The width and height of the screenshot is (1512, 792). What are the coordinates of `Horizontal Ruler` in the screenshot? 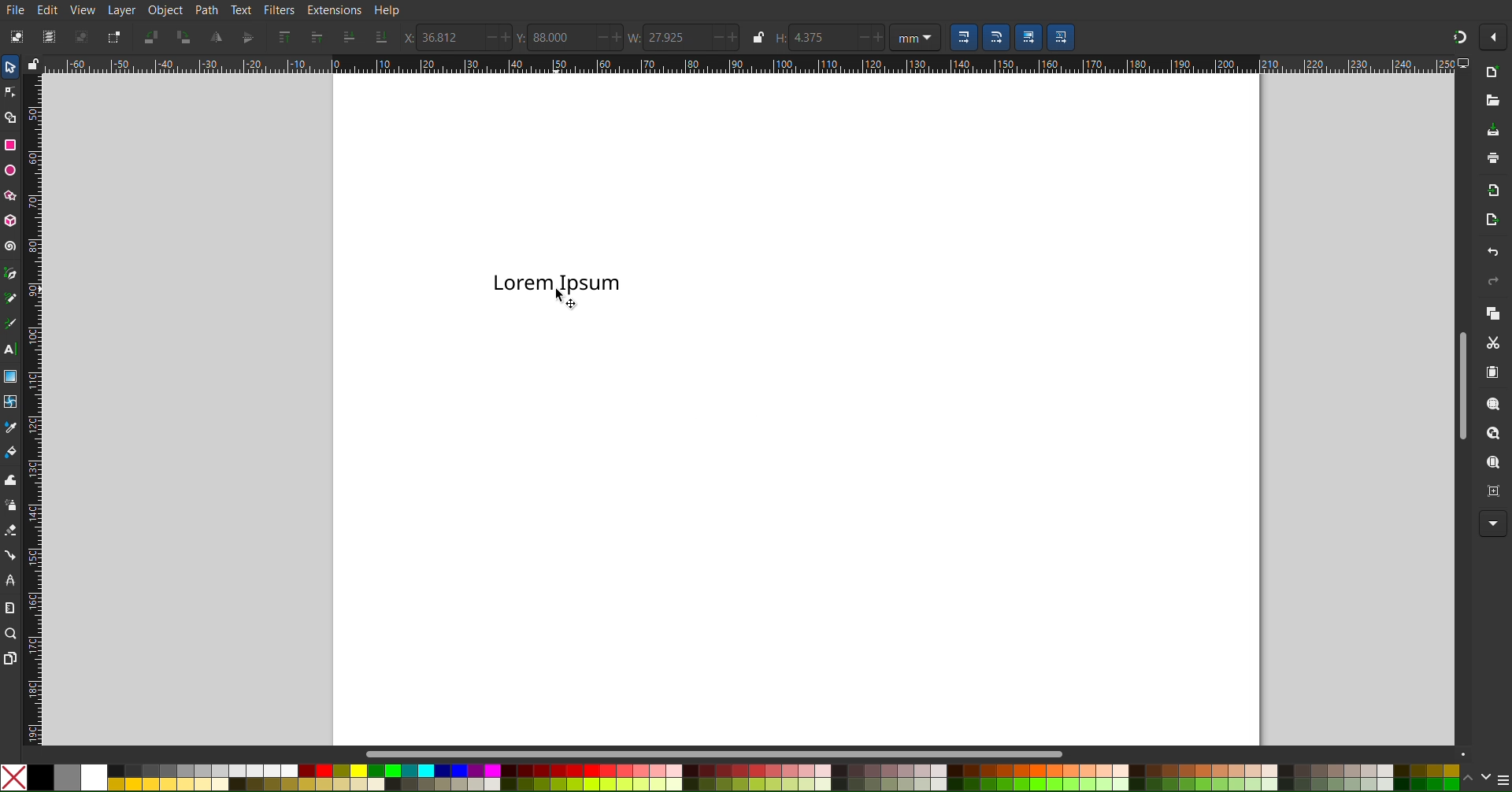 It's located at (750, 65).